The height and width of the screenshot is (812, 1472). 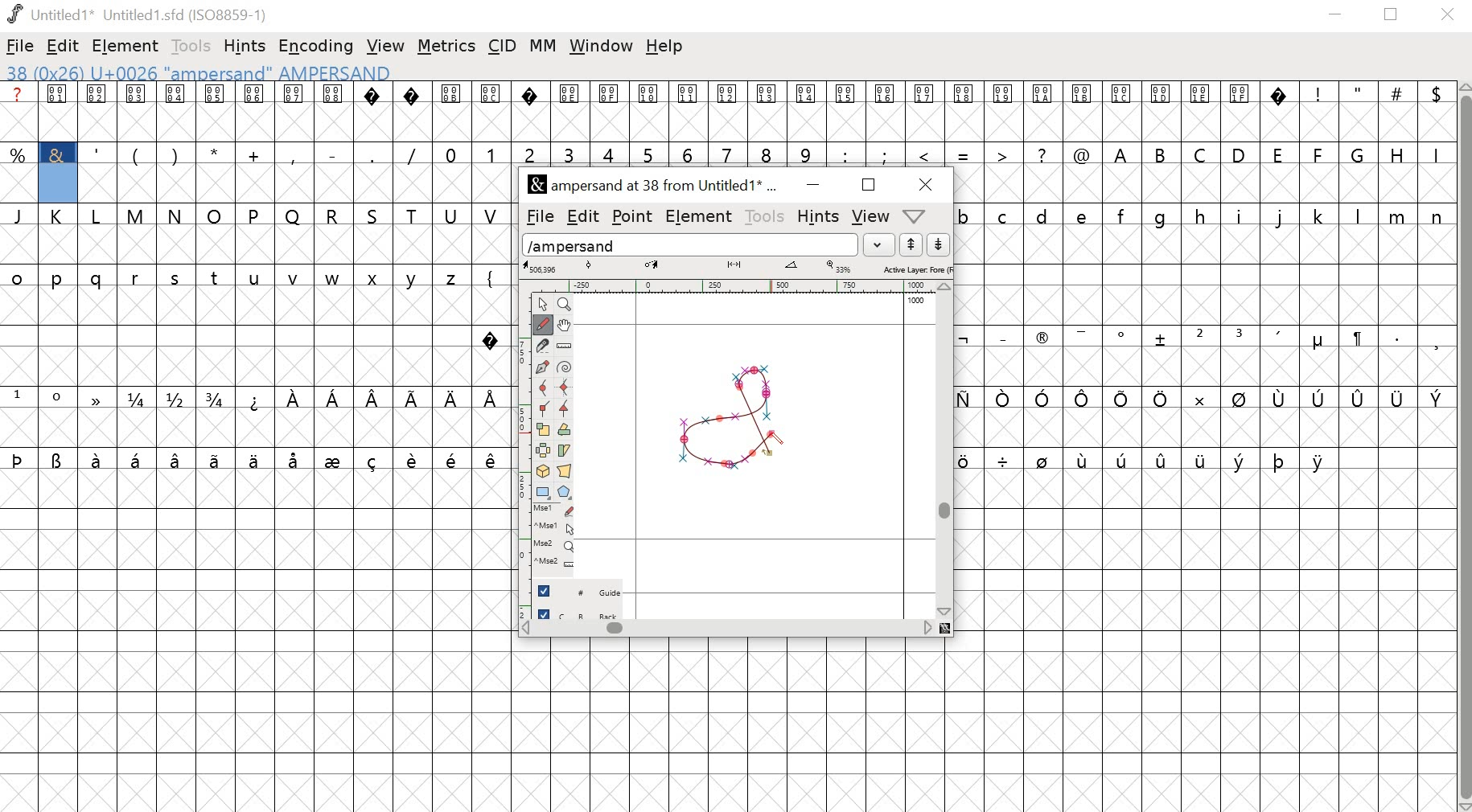 I want to click on R, so click(x=333, y=213).